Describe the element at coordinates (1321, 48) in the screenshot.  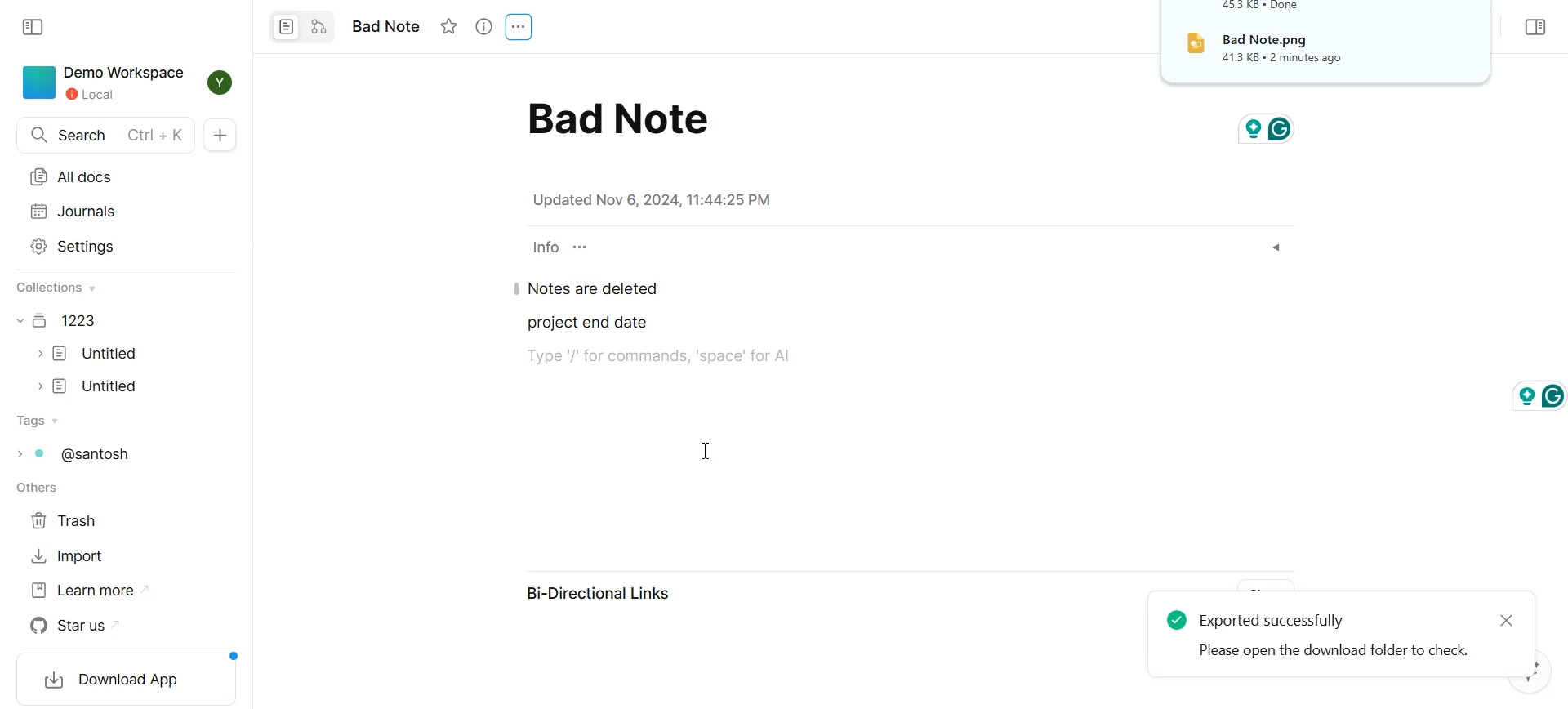
I see `File Downloaded` at that location.